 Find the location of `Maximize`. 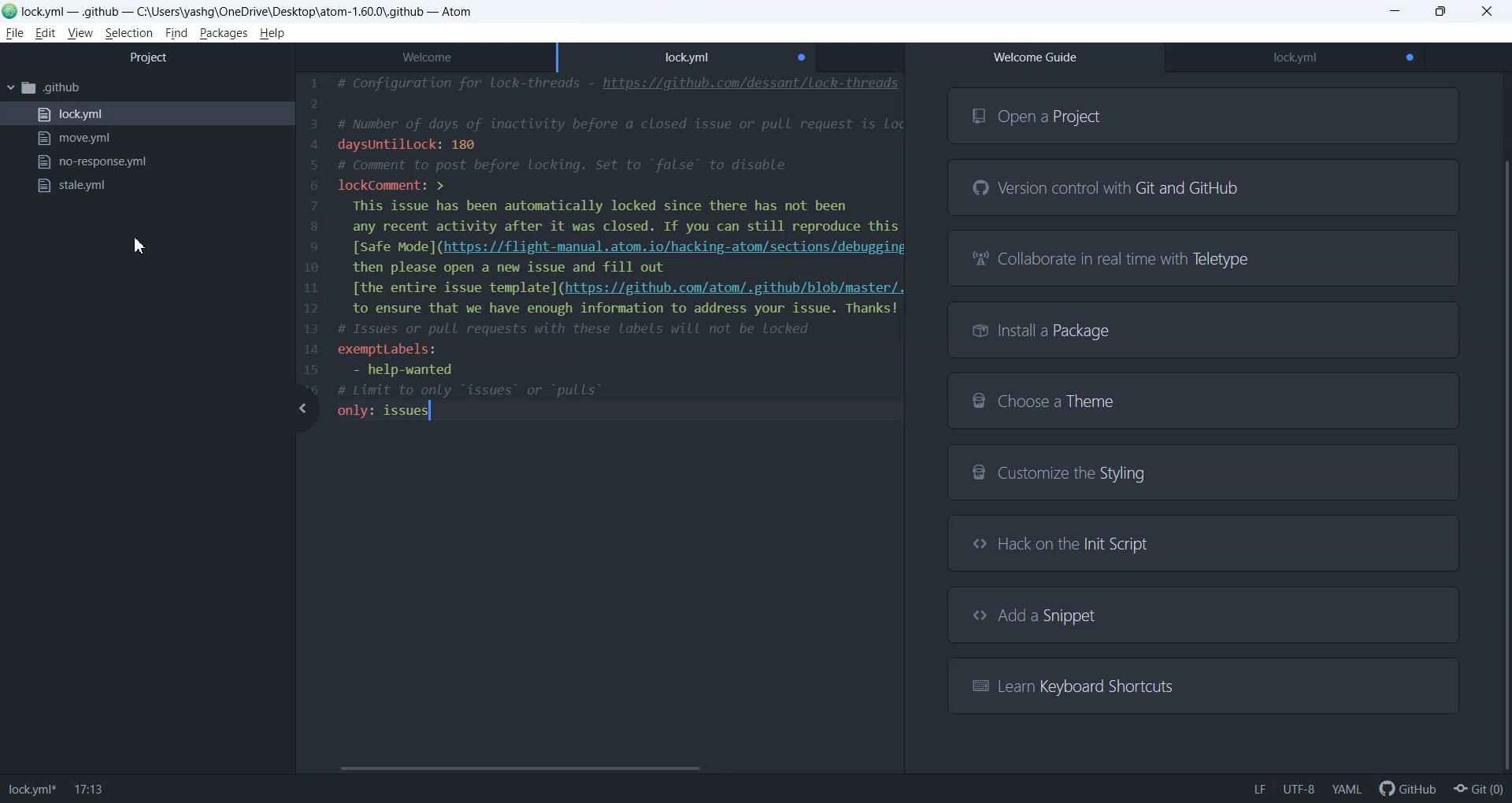

Maximize is located at coordinates (1441, 12).